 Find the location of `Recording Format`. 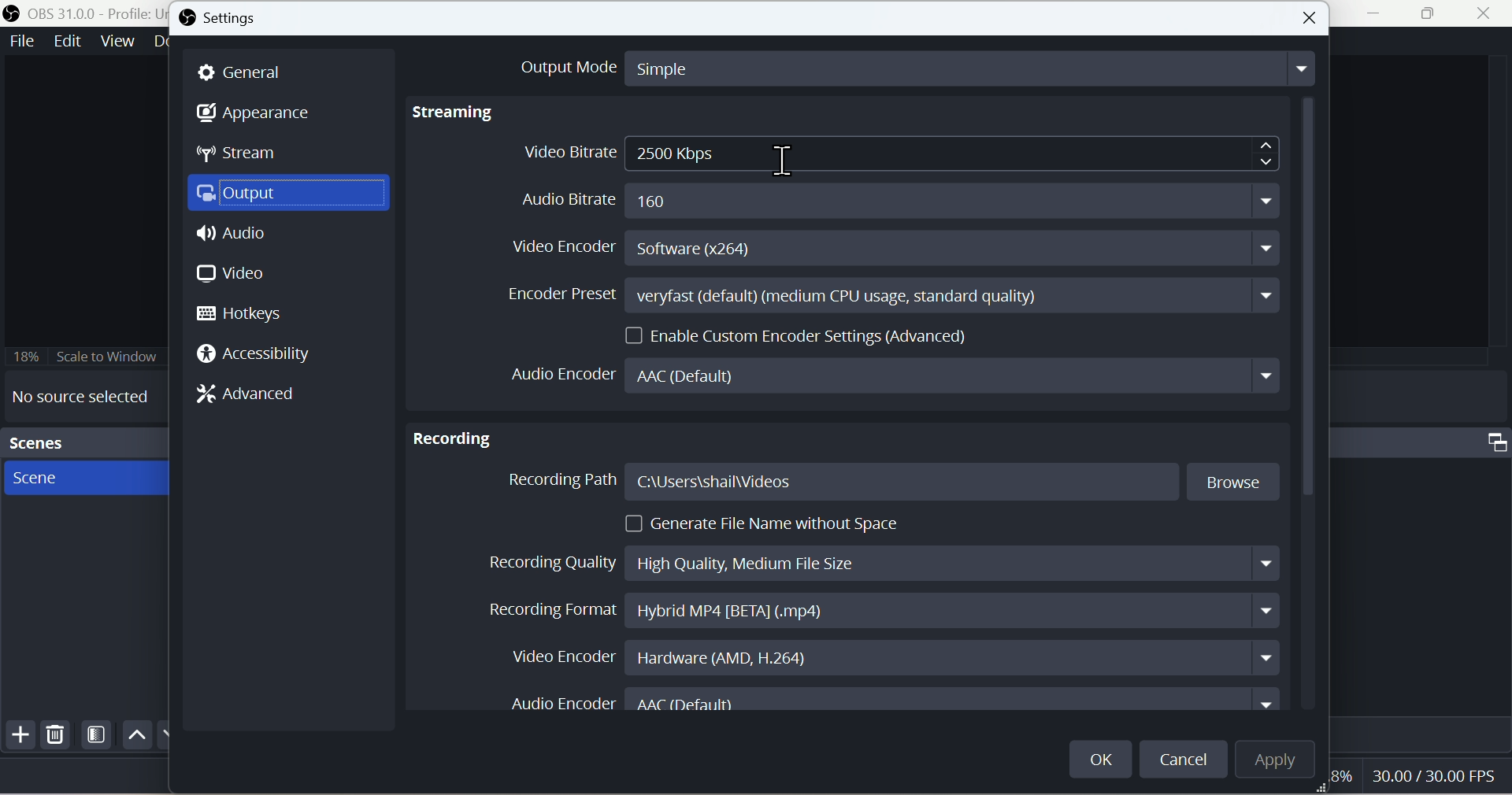

Recording Format is located at coordinates (877, 611).